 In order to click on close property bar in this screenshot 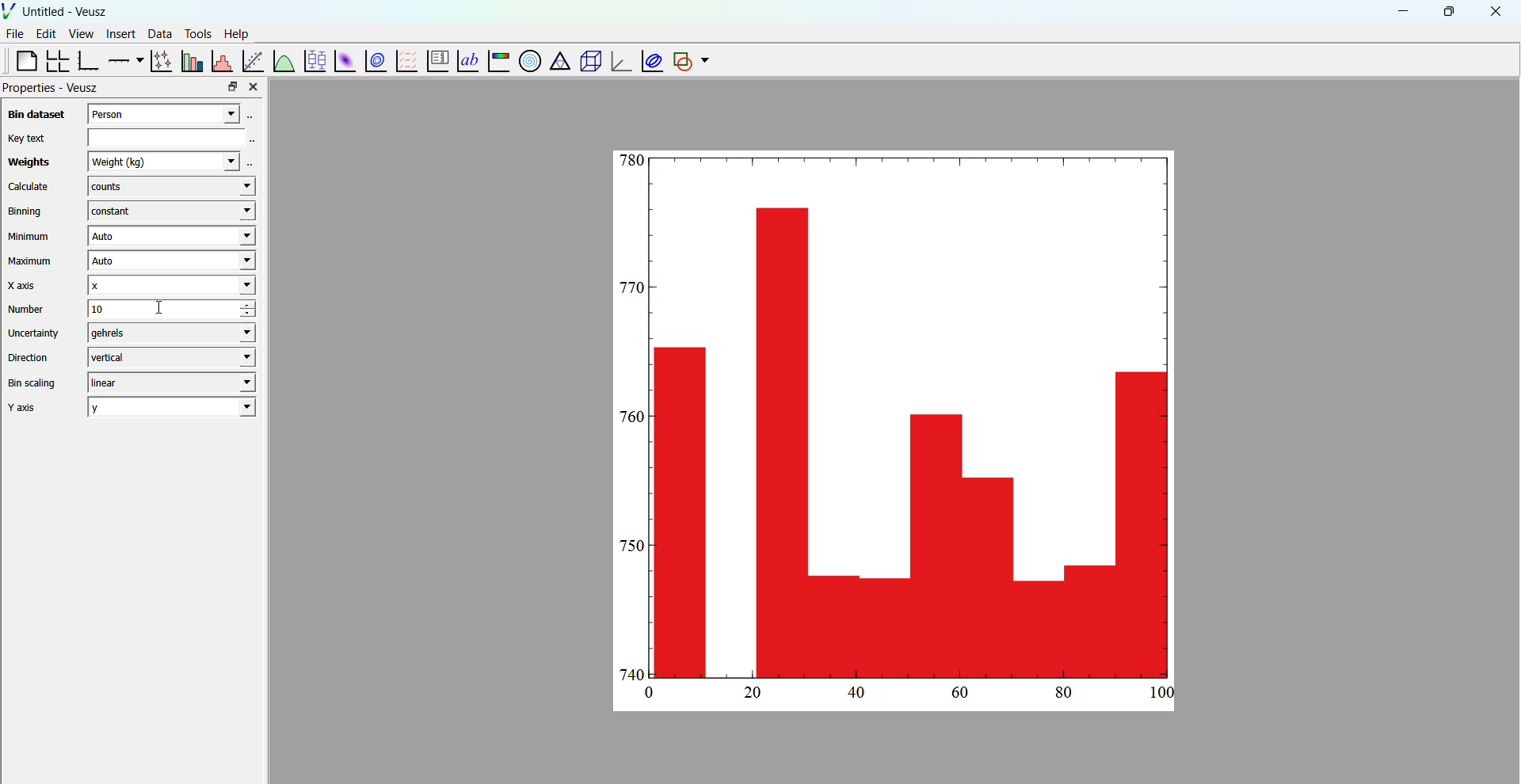, I will do `click(255, 86)`.